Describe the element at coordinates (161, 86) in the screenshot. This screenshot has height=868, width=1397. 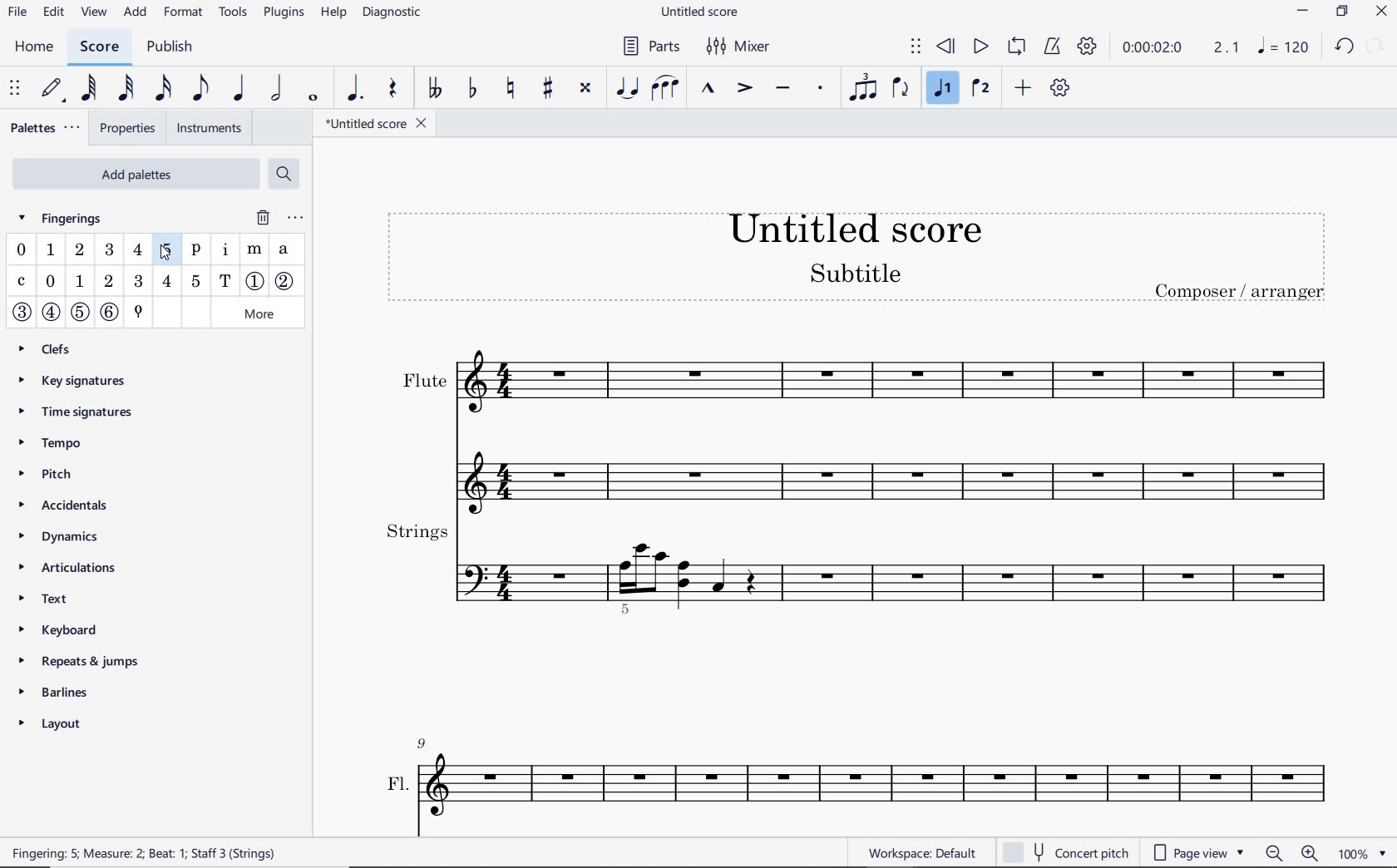
I see `16th note` at that location.